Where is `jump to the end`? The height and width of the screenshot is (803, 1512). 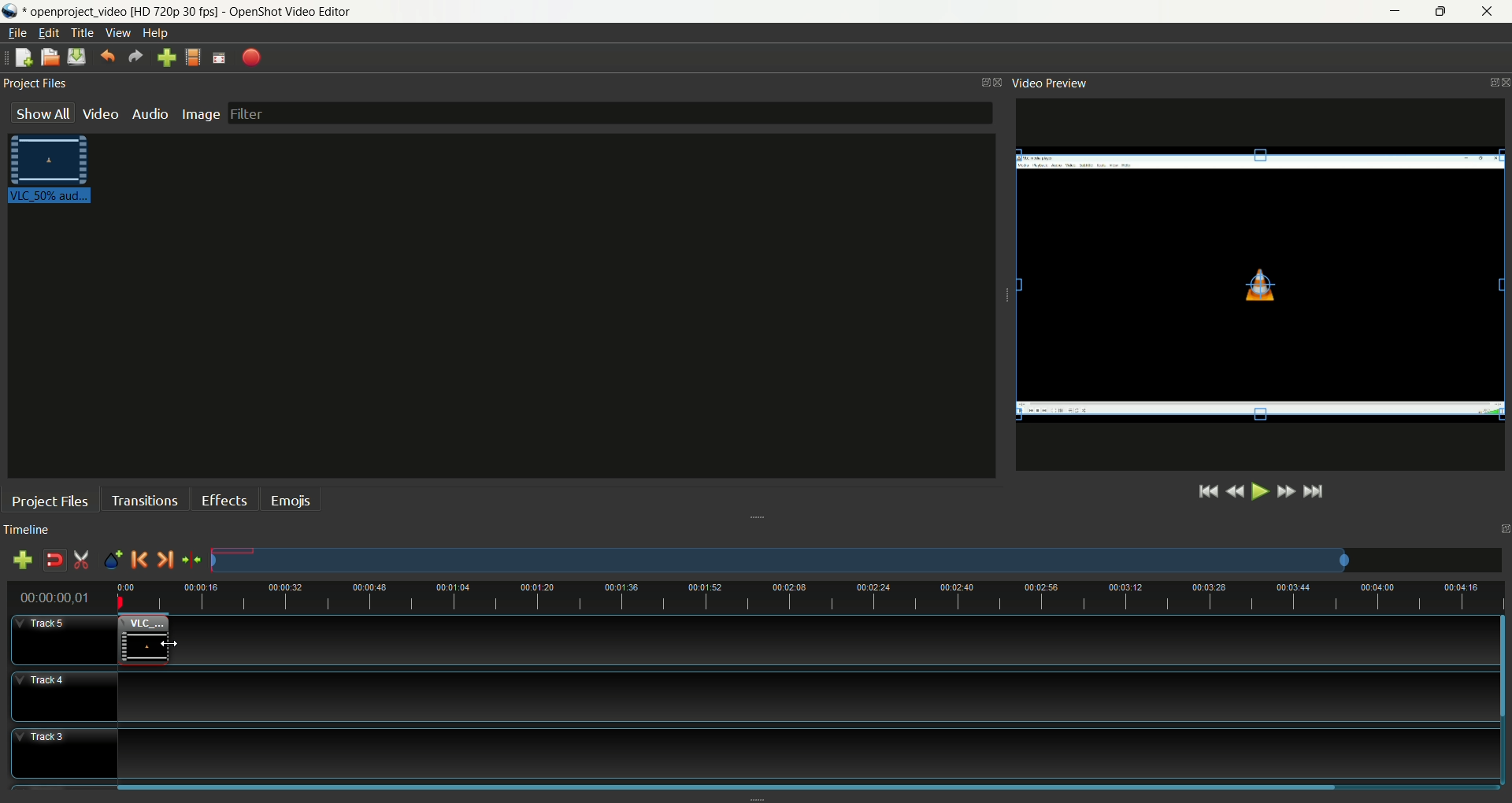 jump to the end is located at coordinates (1315, 493).